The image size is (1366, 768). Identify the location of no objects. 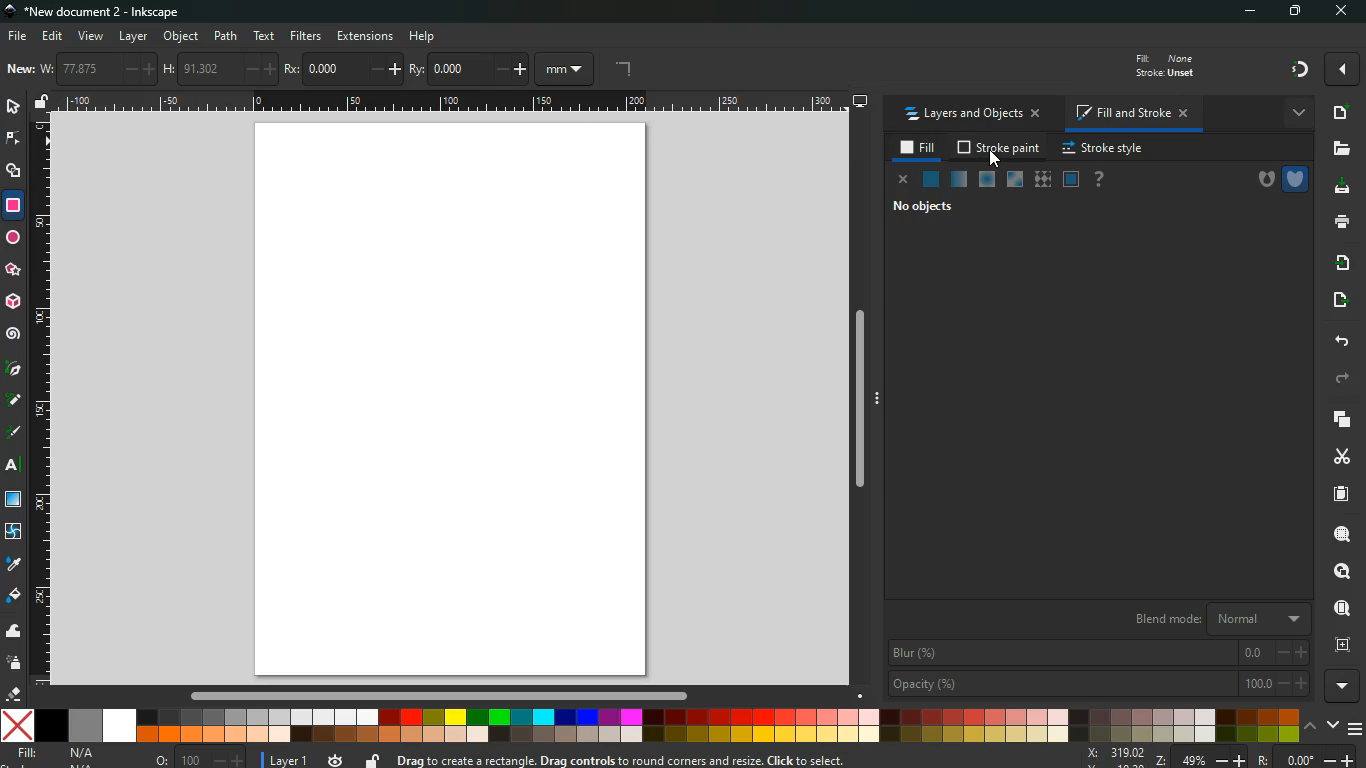
(919, 208).